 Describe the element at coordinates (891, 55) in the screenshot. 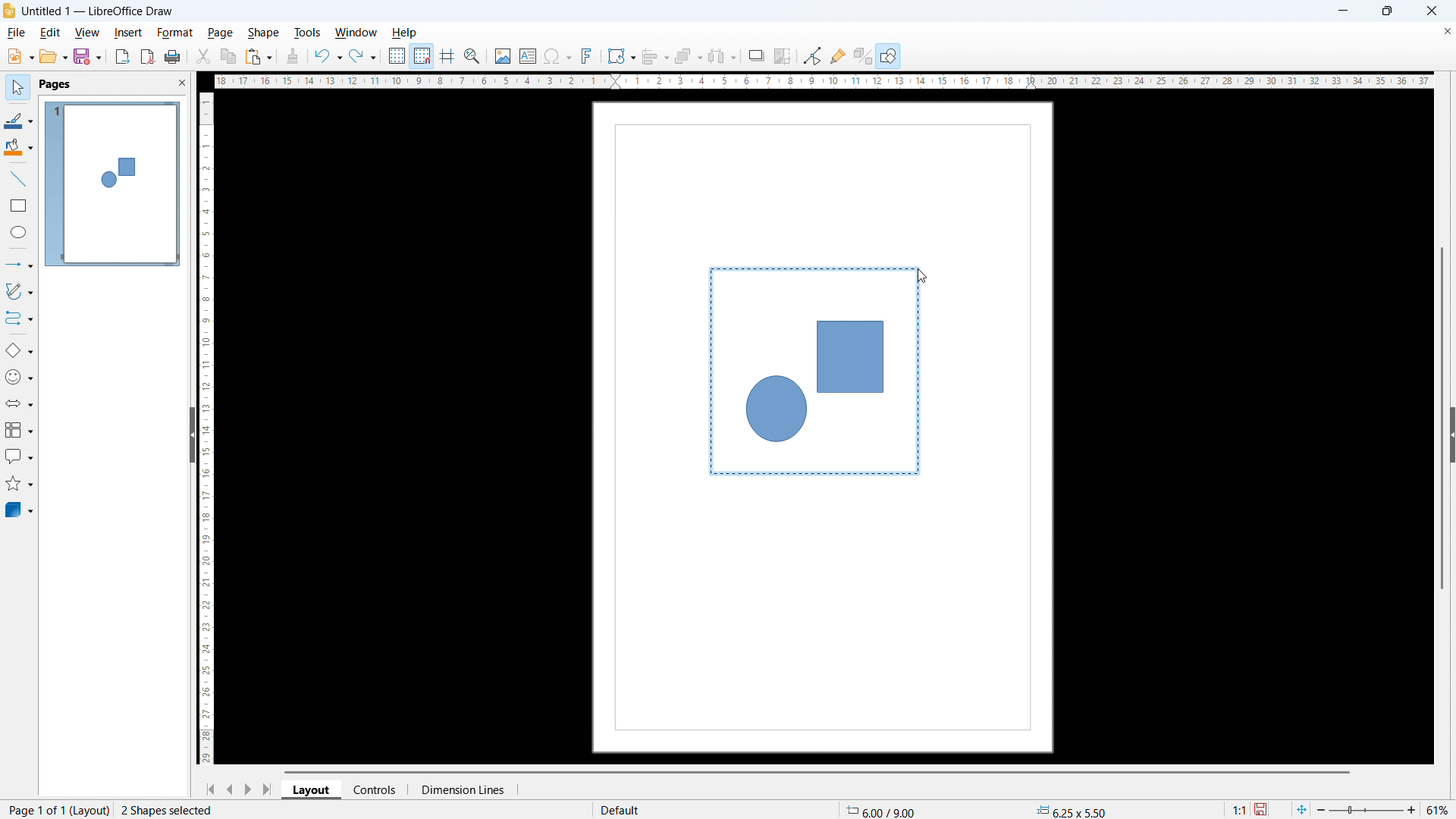

I see `open draw functions` at that location.